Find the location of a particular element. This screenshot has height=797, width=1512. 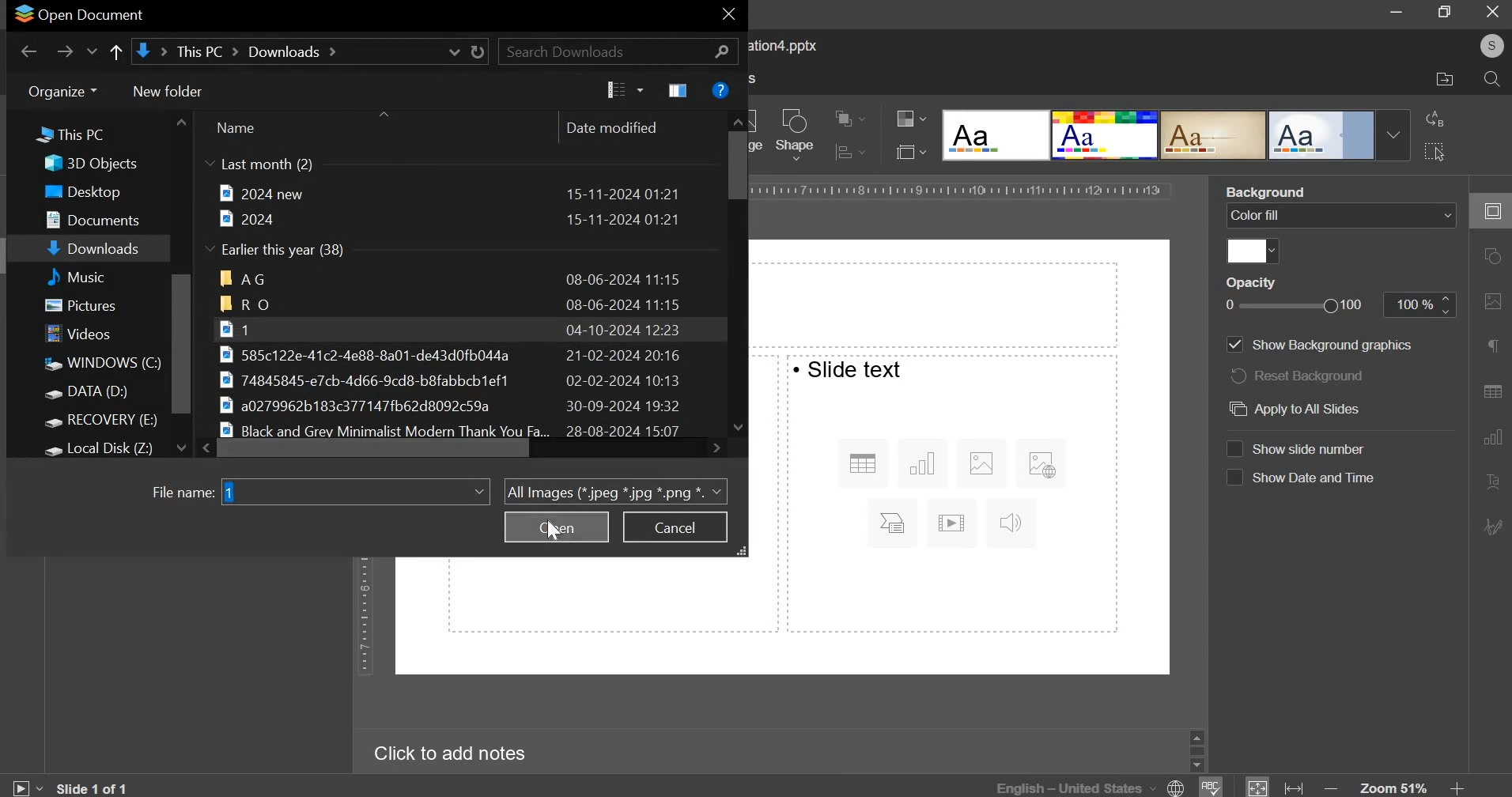

vertical scroll bar is located at coordinates (182, 344).